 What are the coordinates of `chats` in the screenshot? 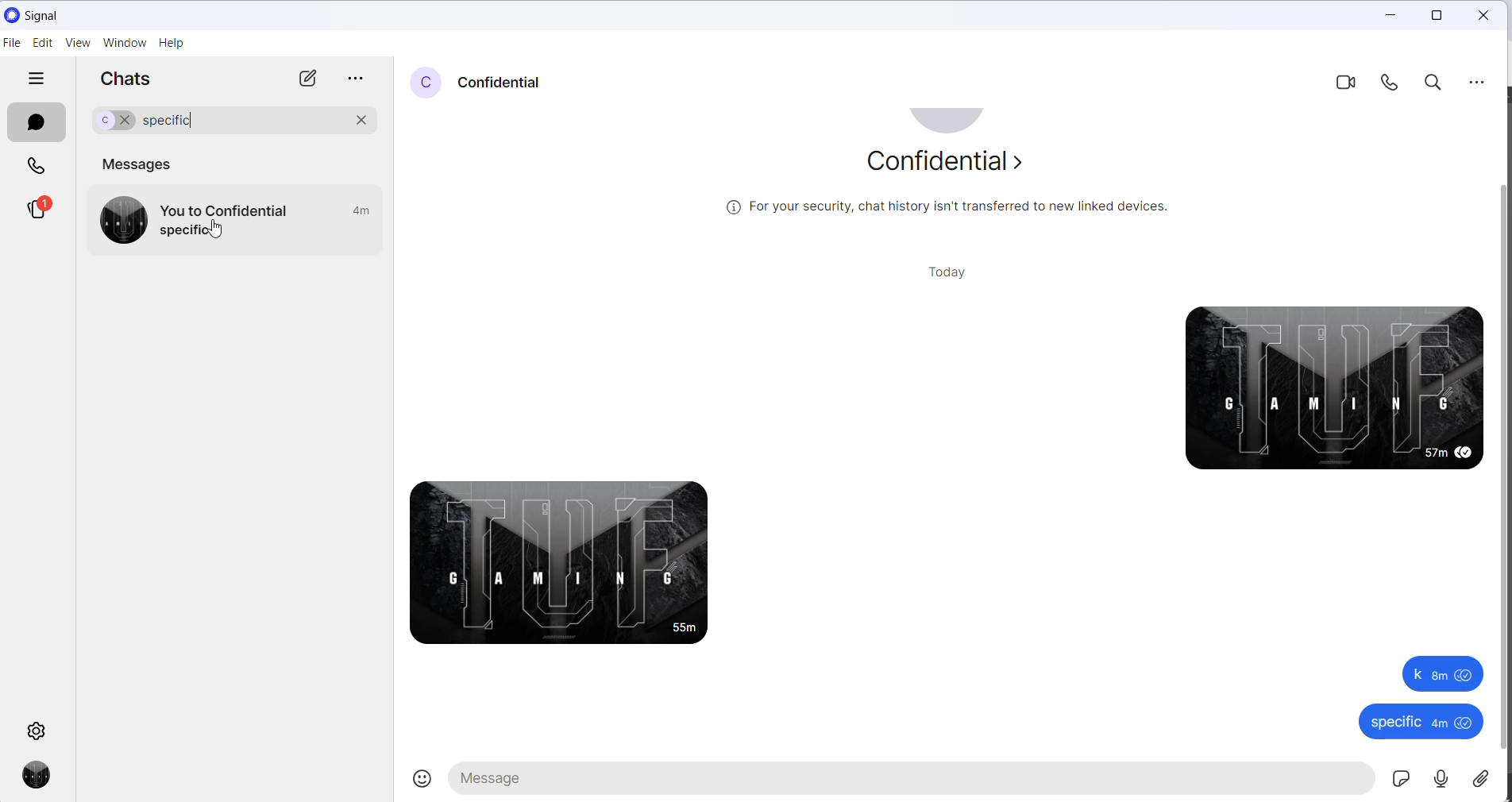 It's located at (36, 122).